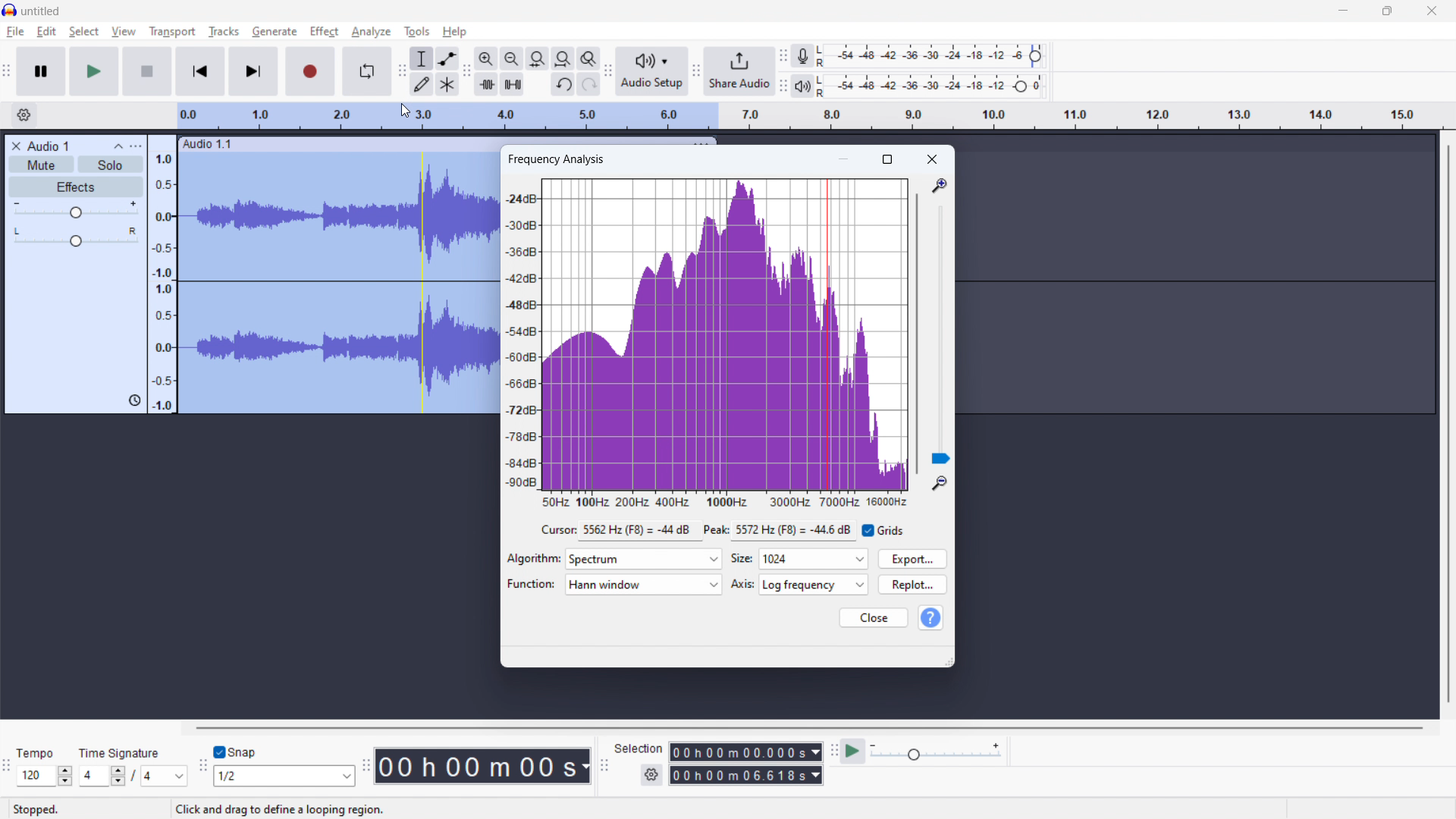 The width and height of the screenshot is (1456, 819). Describe the element at coordinates (941, 334) in the screenshot. I see `slide up to zoom` at that location.